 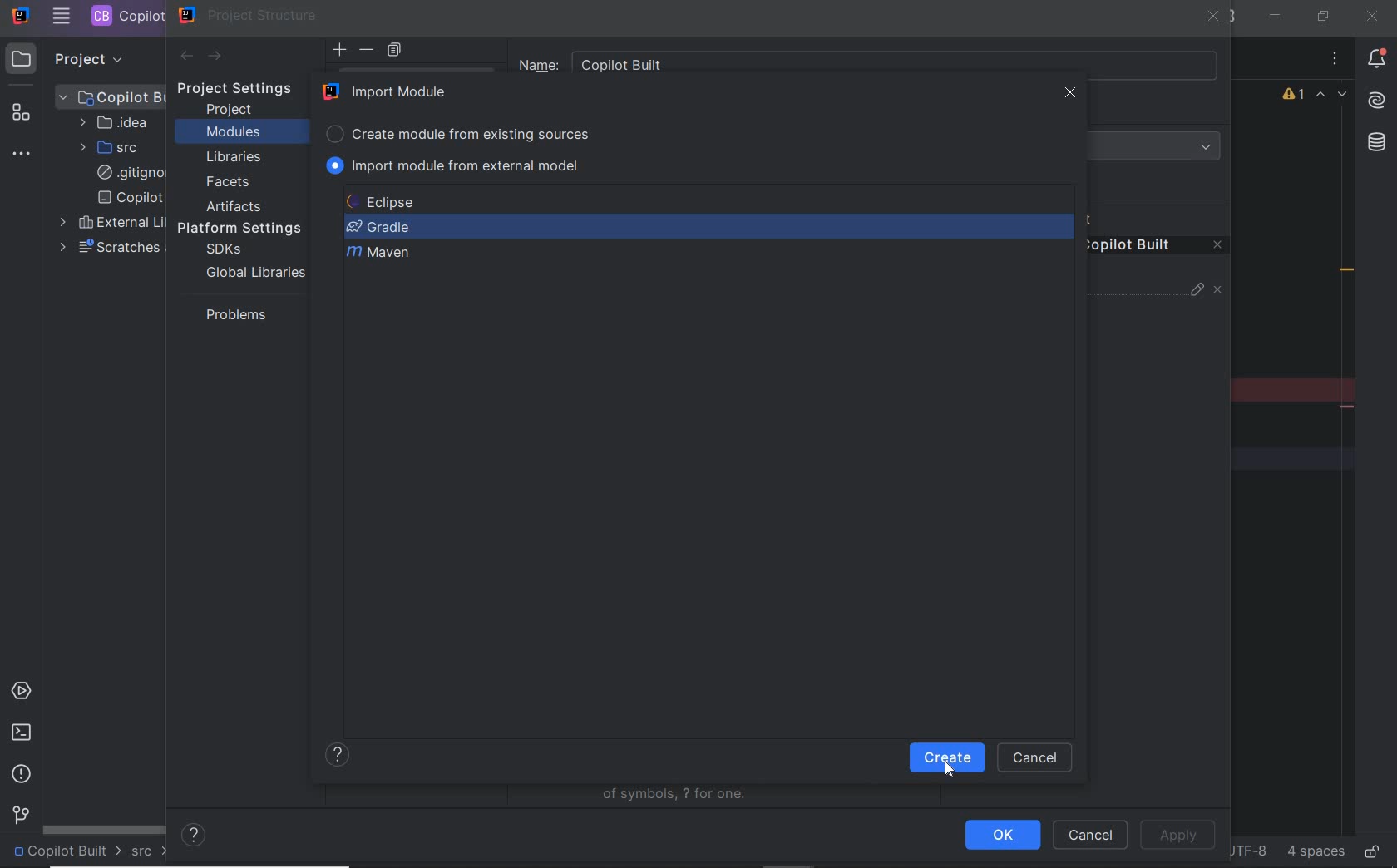 I want to click on next, so click(x=947, y=757).